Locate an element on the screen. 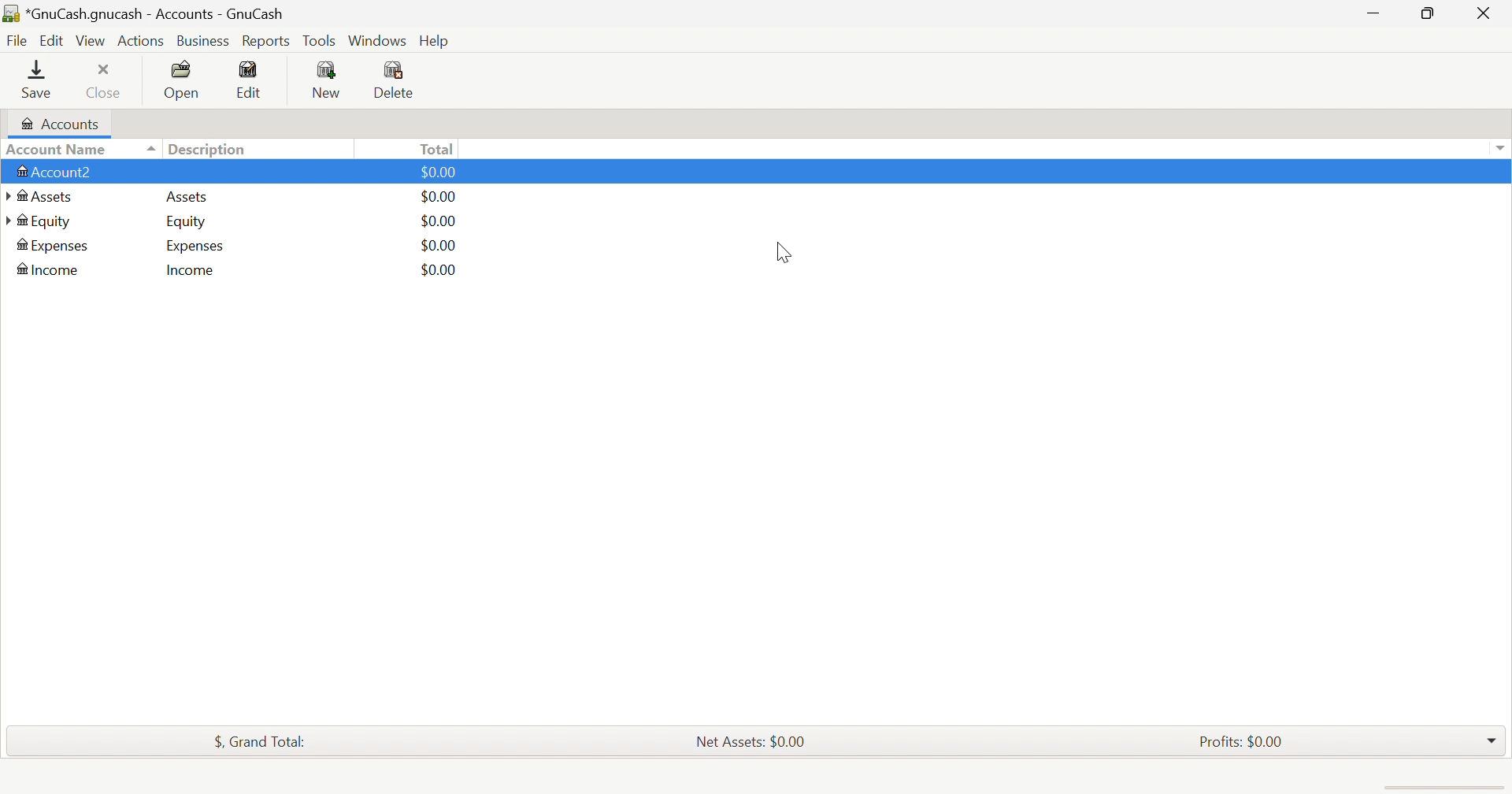 The width and height of the screenshot is (1512, 794). $0.00 is located at coordinates (439, 197).